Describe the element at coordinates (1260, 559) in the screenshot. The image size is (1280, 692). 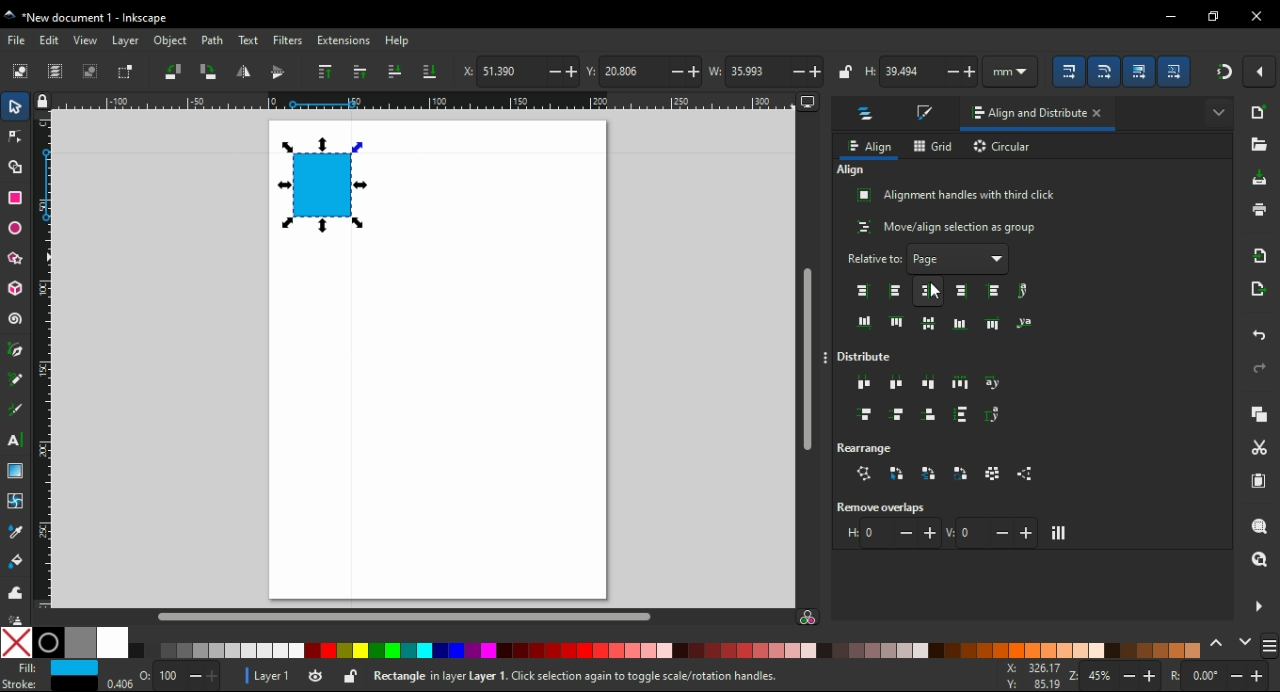
I see `zoom drawing` at that location.